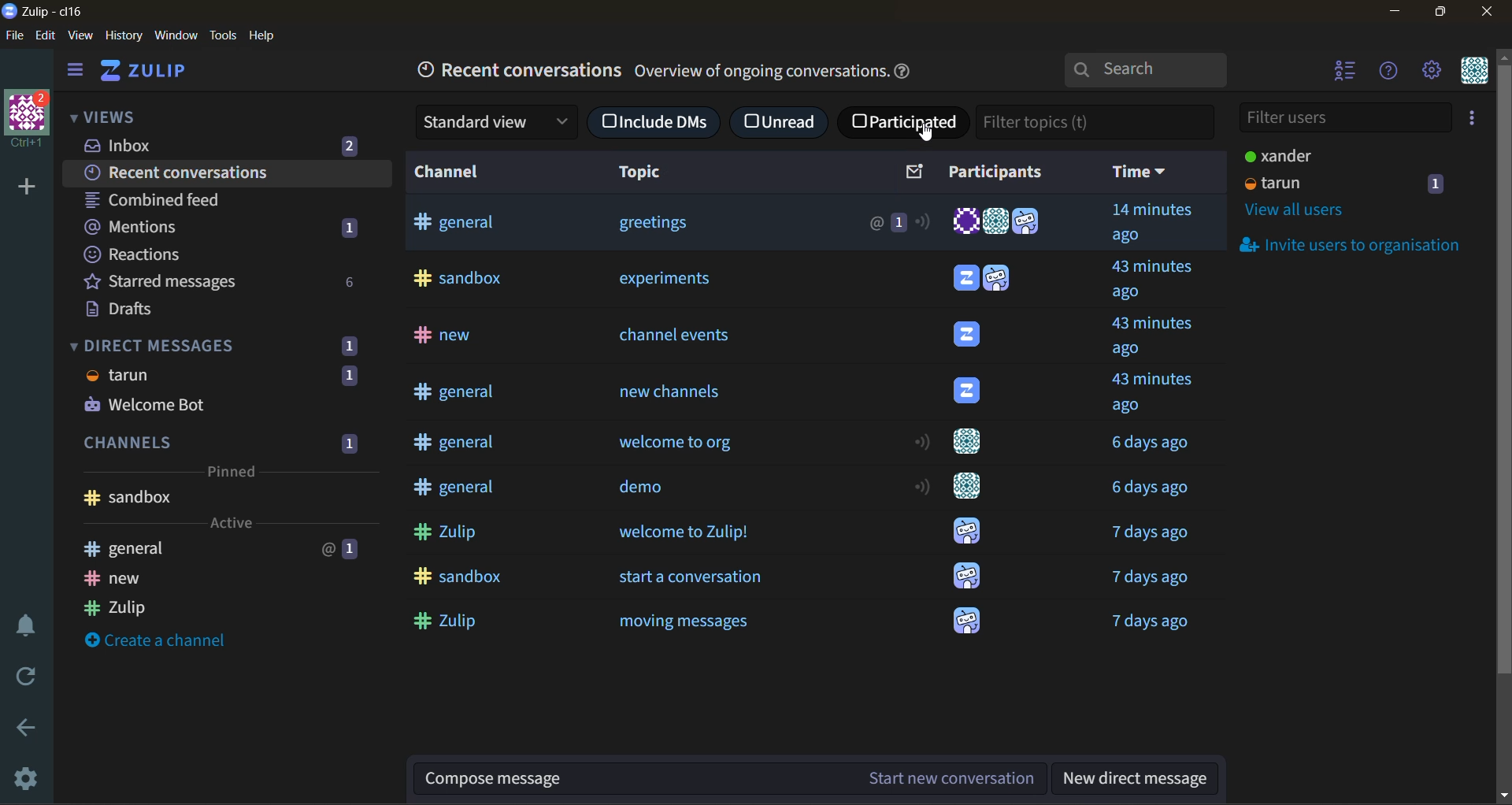  Describe the element at coordinates (176, 35) in the screenshot. I see `window` at that location.